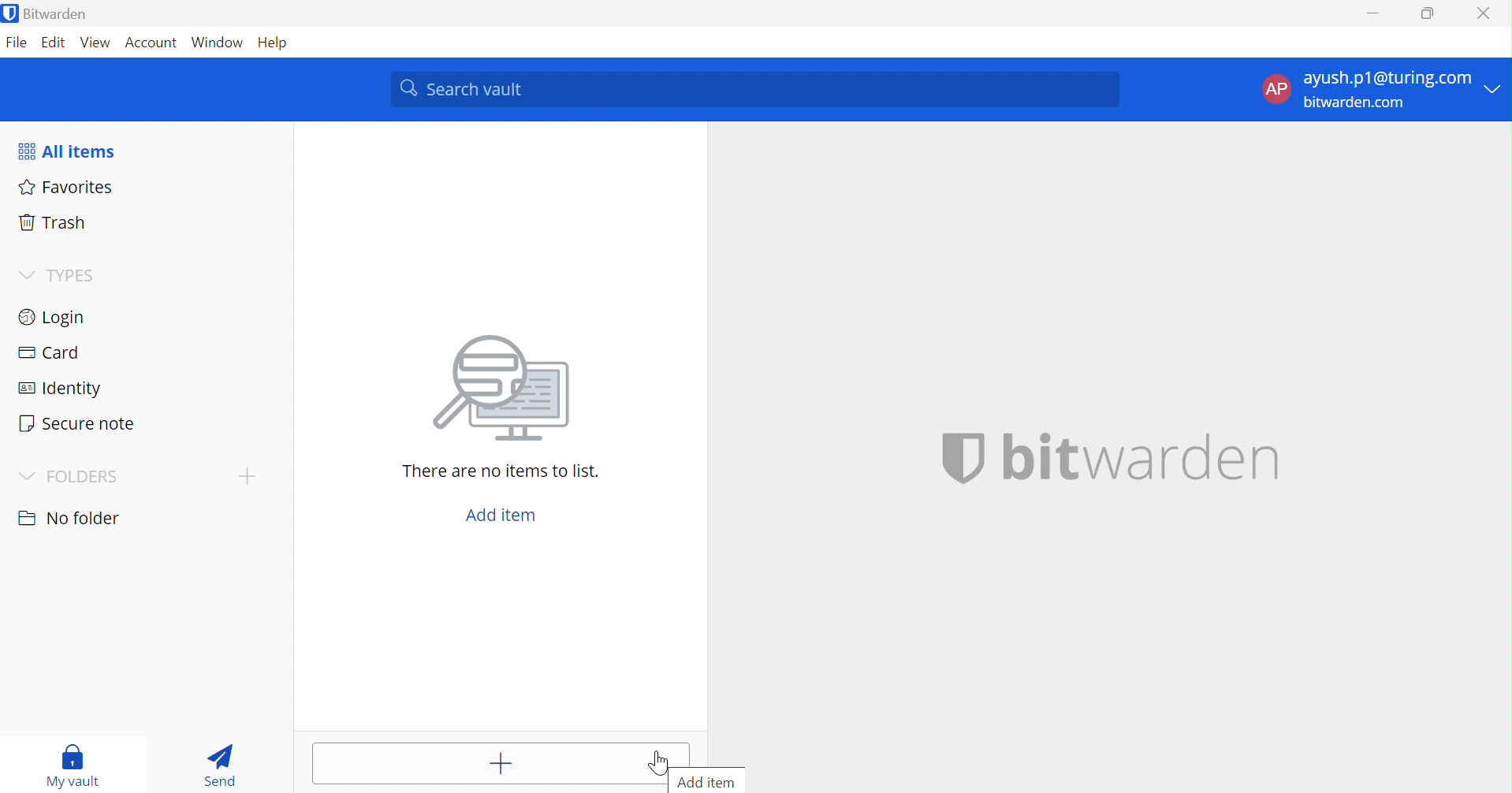  Describe the element at coordinates (1276, 91) in the screenshot. I see `AP` at that location.